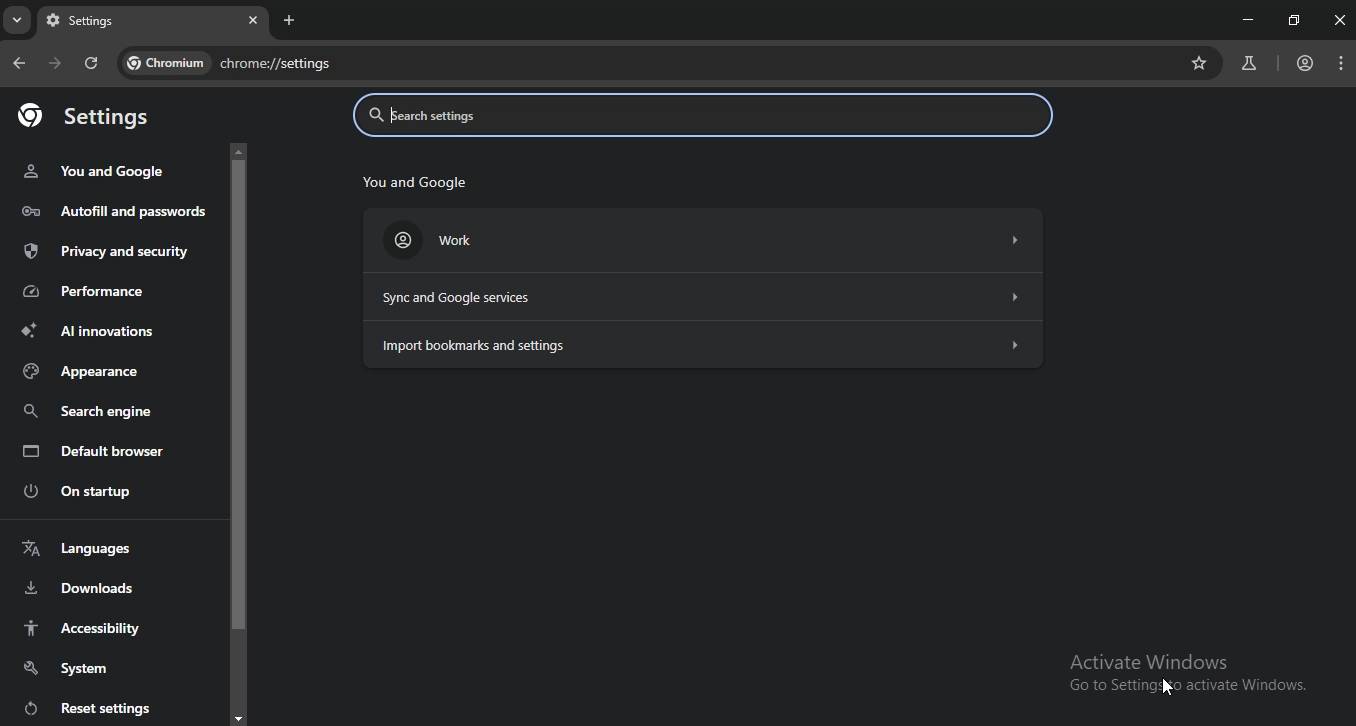  What do you see at coordinates (1244, 18) in the screenshot?
I see `minimize` at bounding box center [1244, 18].